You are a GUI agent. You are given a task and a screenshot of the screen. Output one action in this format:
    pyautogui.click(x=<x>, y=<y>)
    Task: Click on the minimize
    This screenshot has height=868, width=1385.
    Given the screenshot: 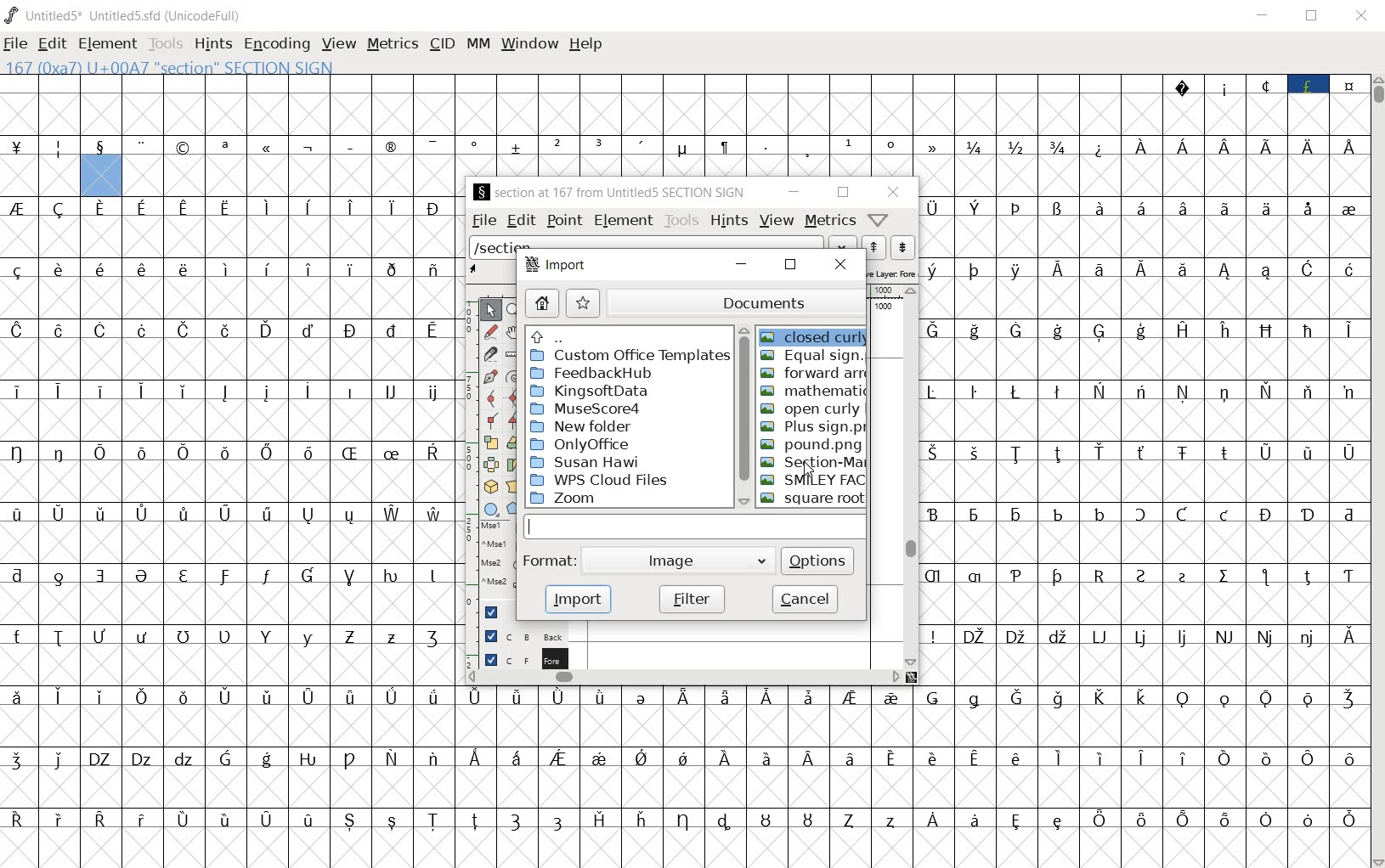 What is the action you would take?
    pyautogui.click(x=793, y=193)
    